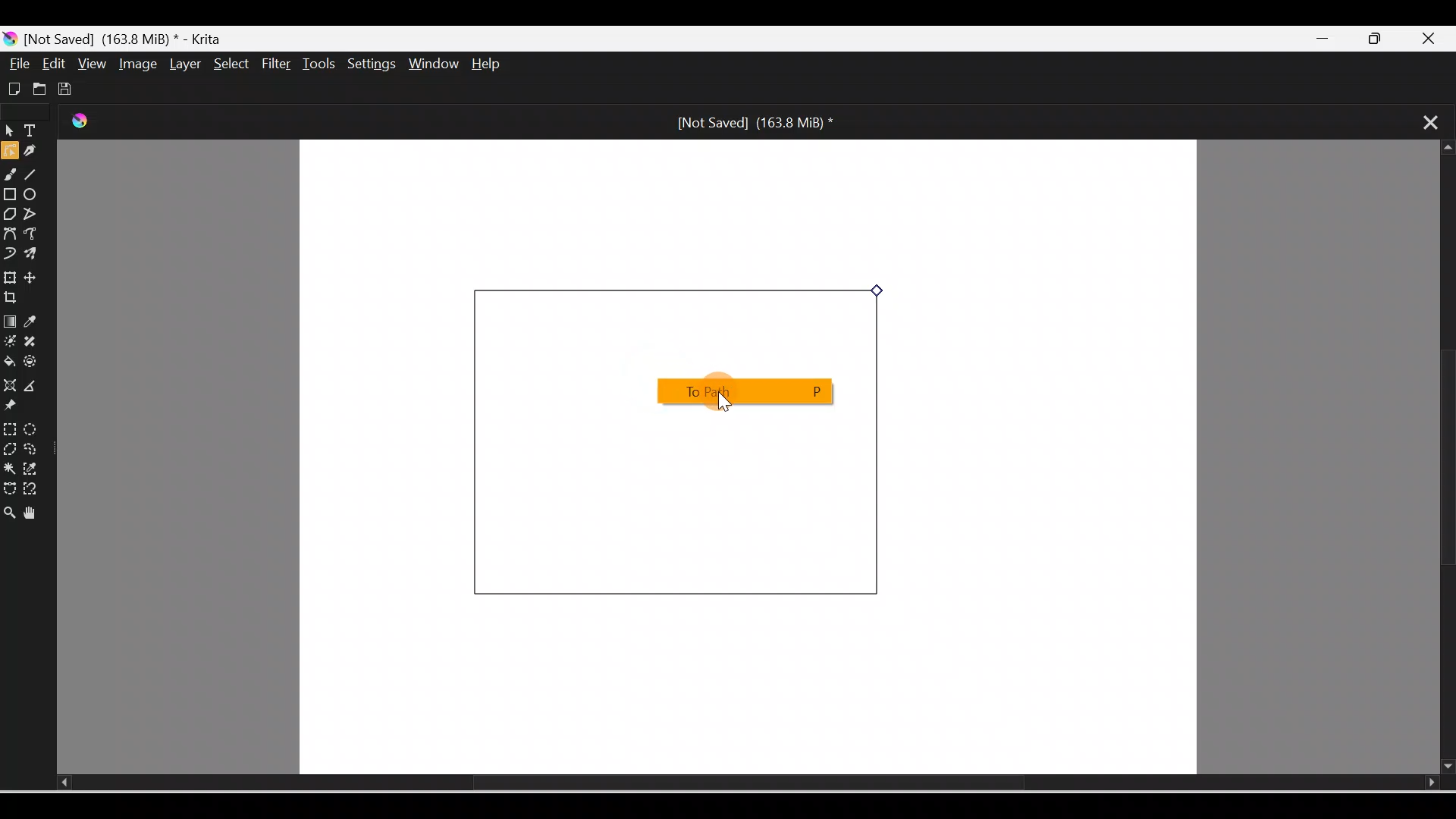 The width and height of the screenshot is (1456, 819). Describe the element at coordinates (33, 132) in the screenshot. I see `Text tool` at that location.